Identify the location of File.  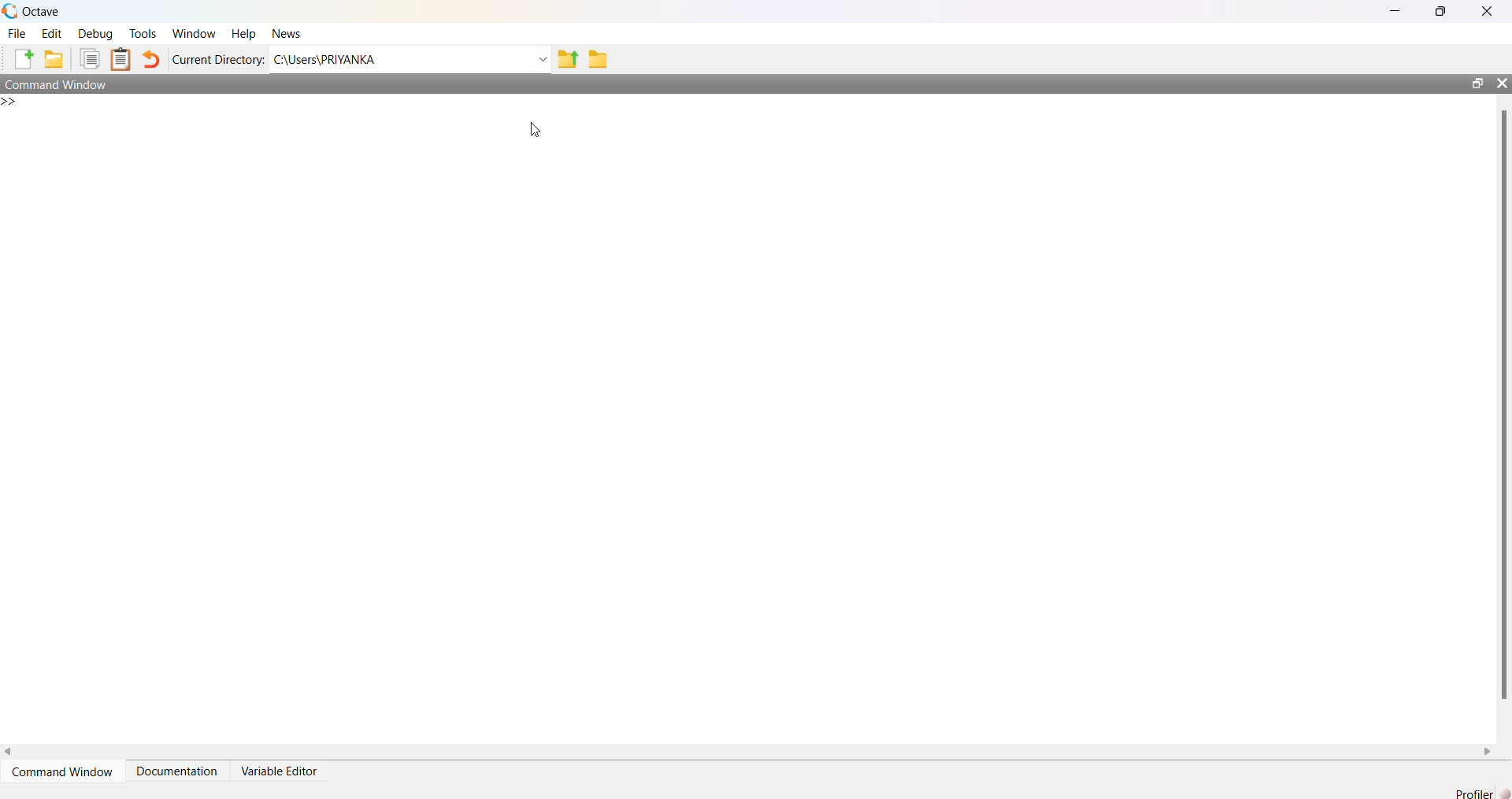
(18, 34).